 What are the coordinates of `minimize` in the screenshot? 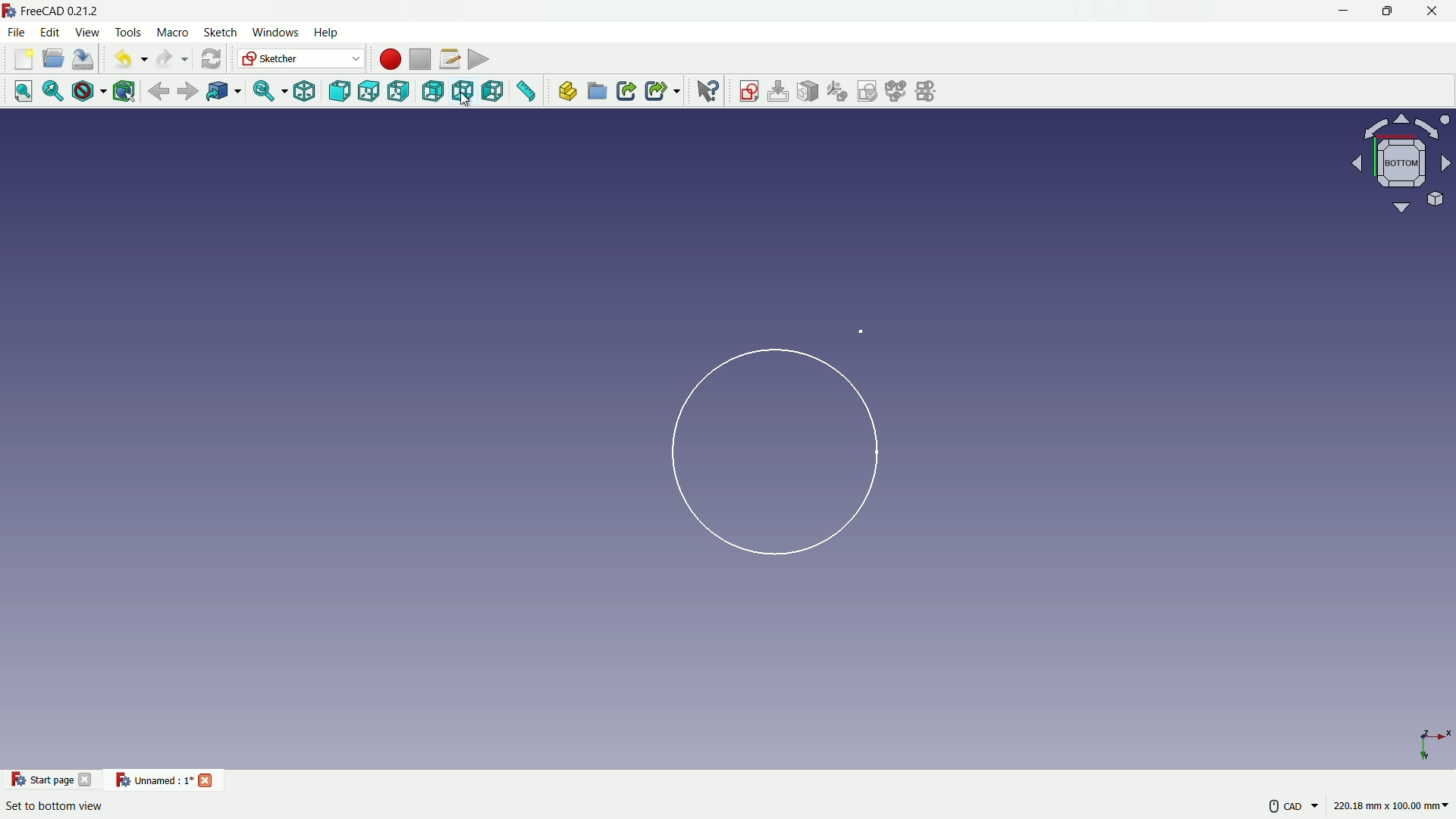 It's located at (1343, 12).